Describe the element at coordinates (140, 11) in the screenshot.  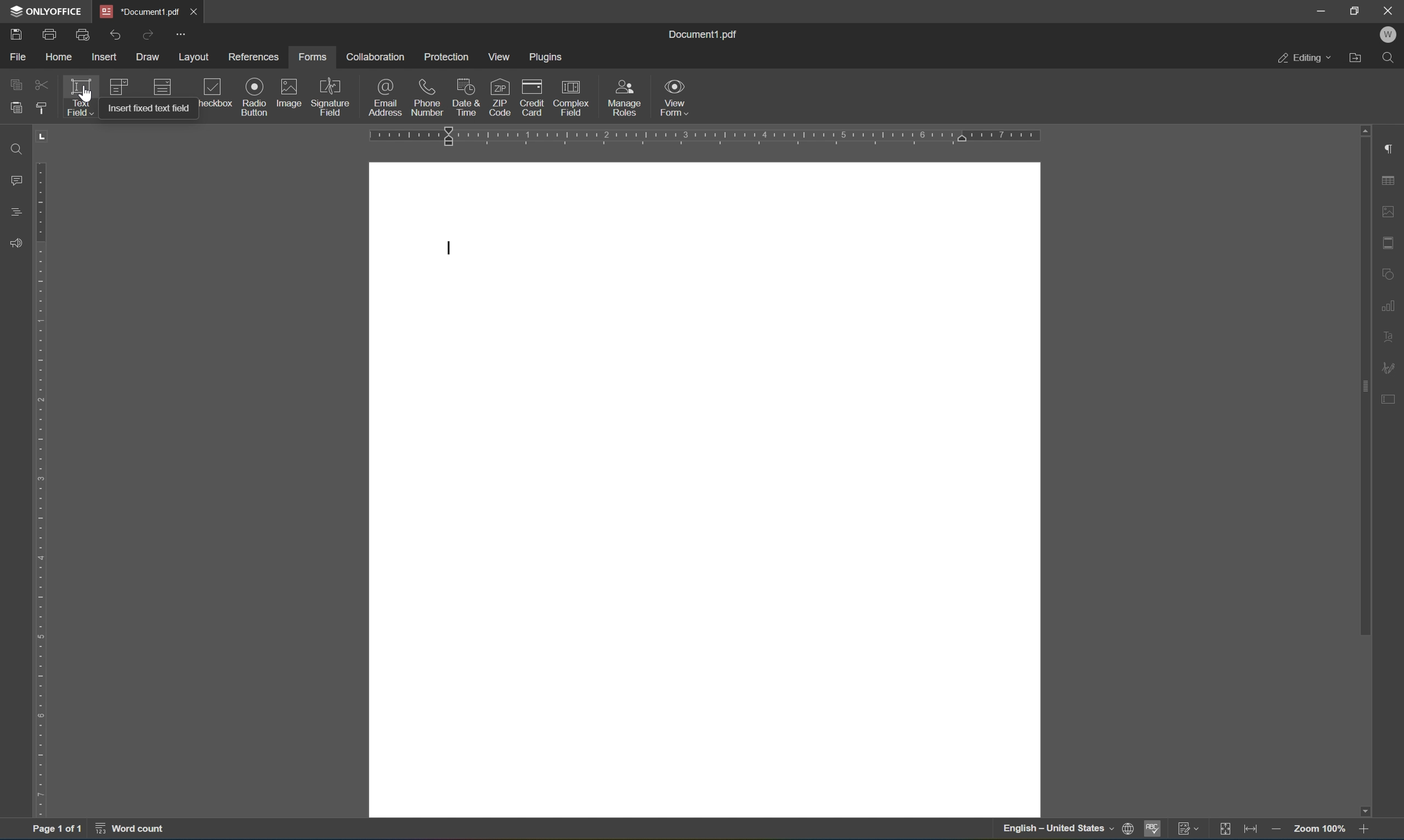
I see `*document1.pdf` at that location.